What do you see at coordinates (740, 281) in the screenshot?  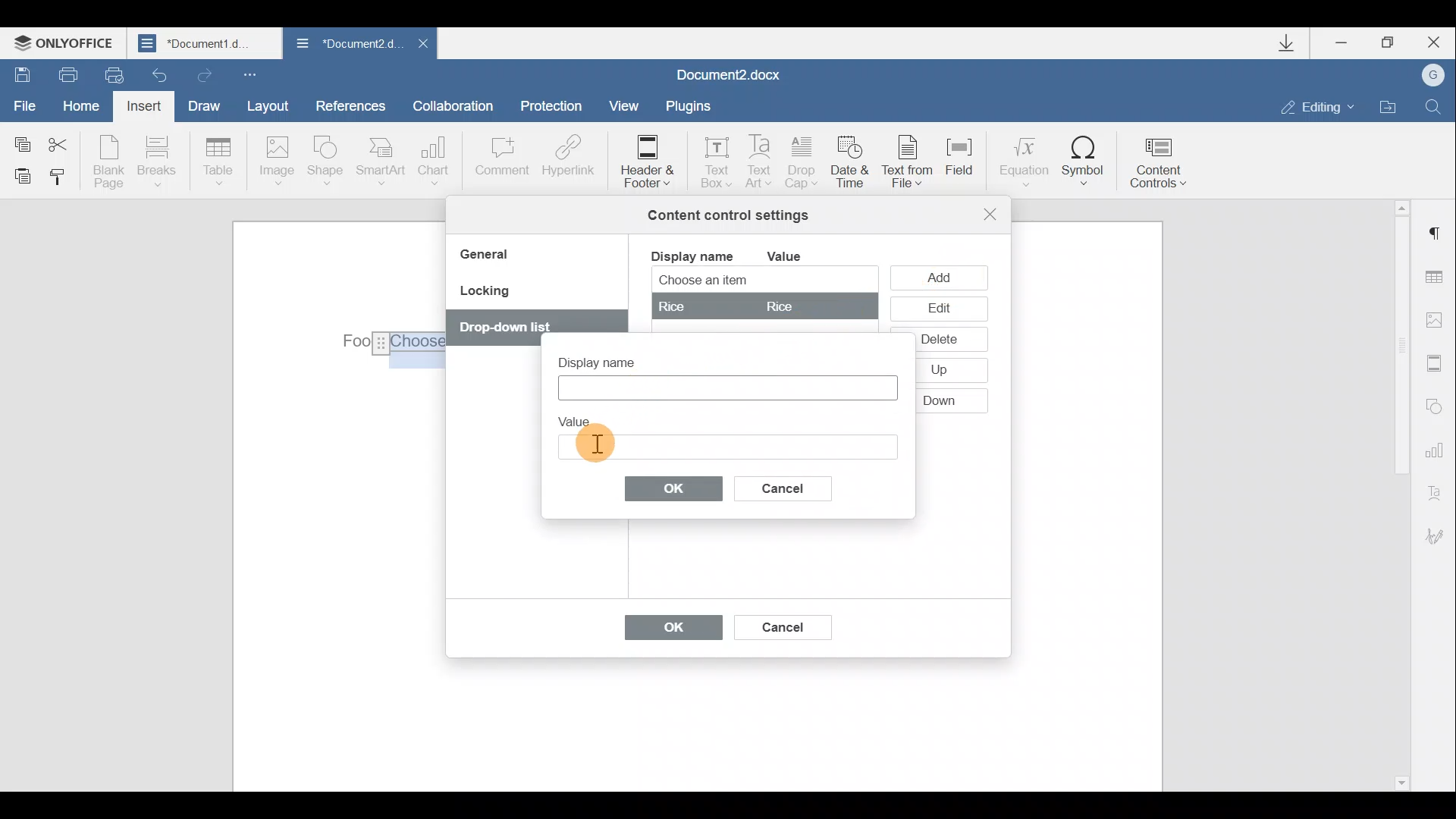 I see `Choose an item` at bounding box center [740, 281].